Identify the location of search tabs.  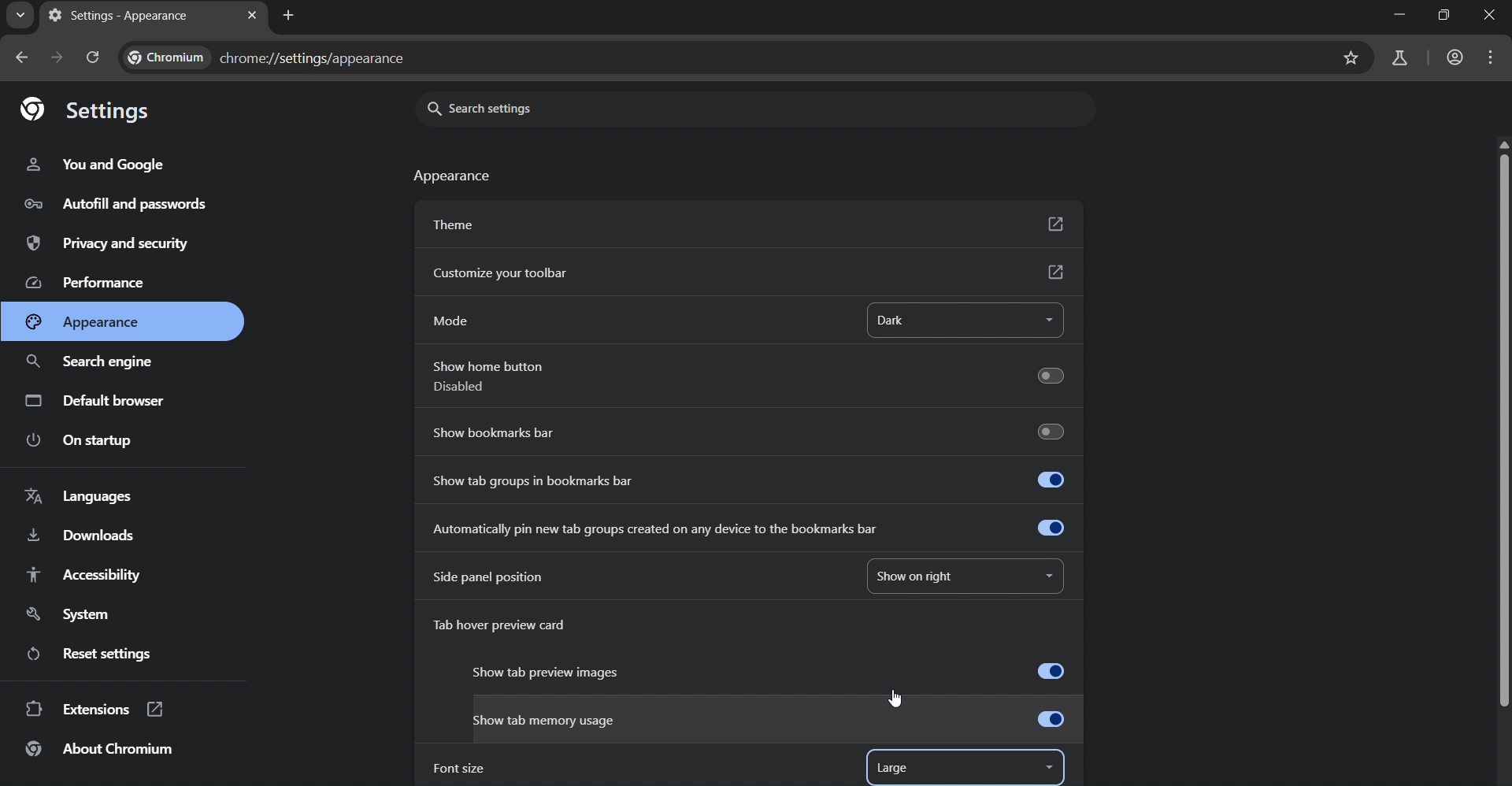
(20, 15).